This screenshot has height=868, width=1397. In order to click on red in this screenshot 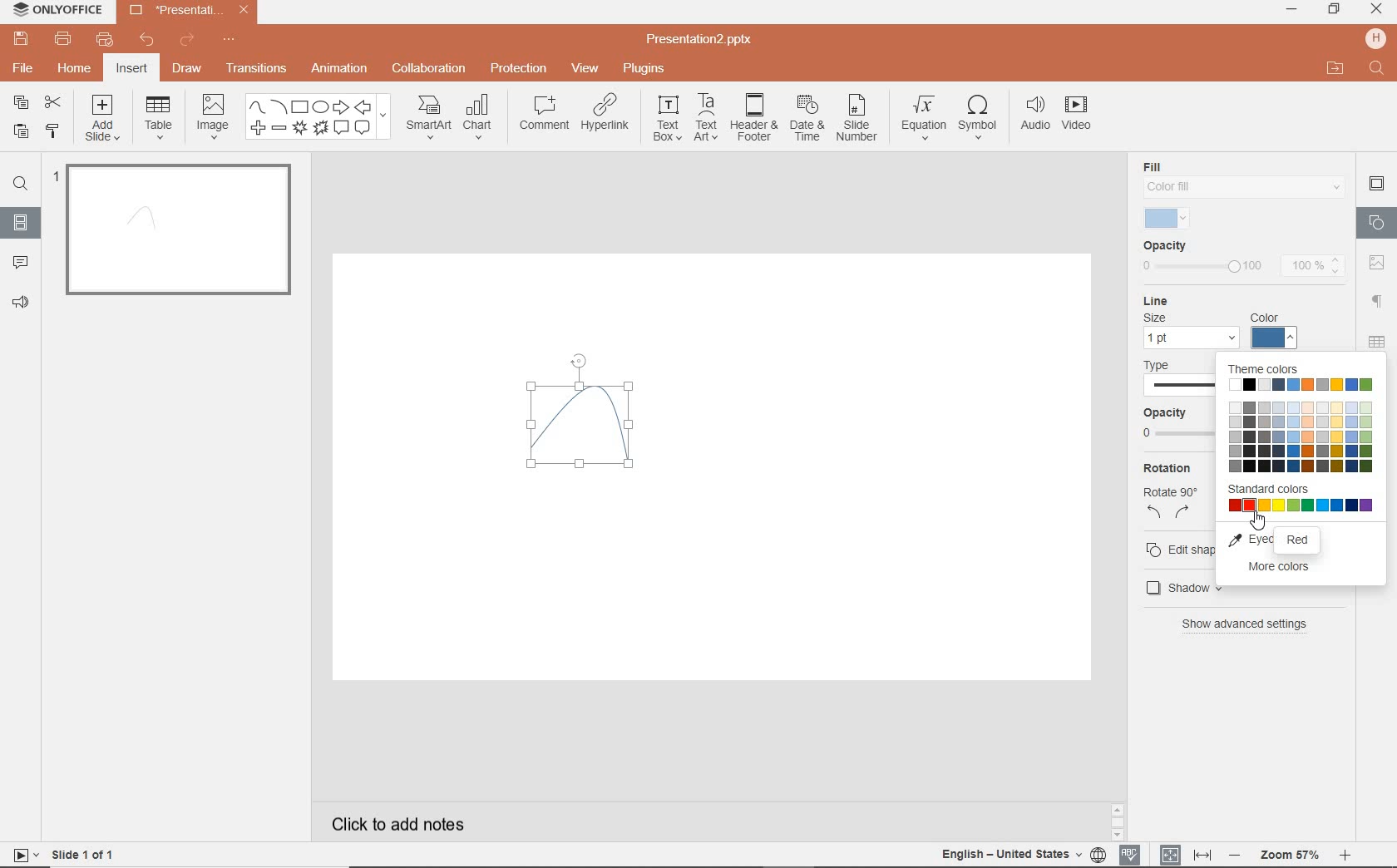, I will do `click(1295, 540)`.